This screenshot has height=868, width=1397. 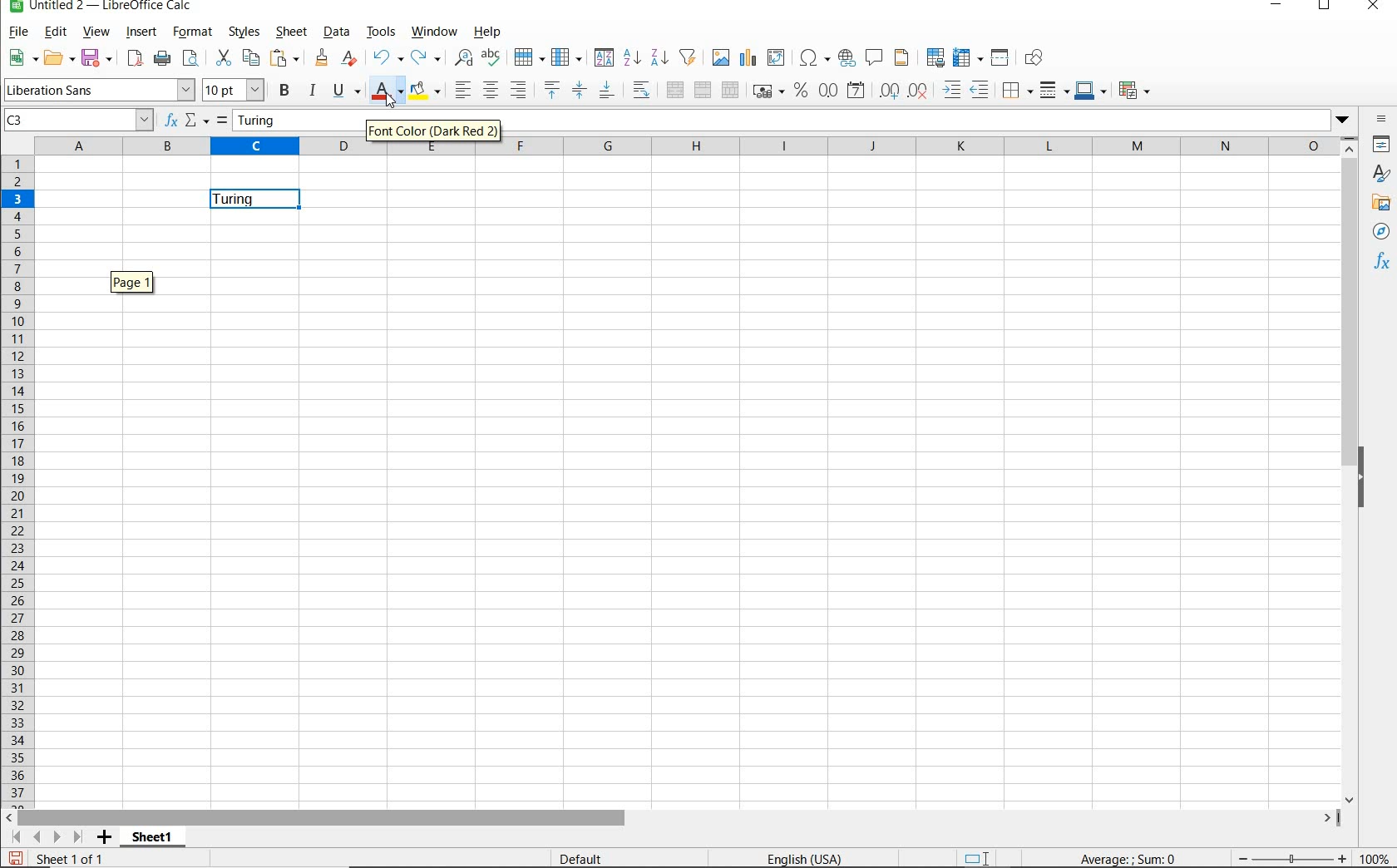 What do you see at coordinates (1017, 91) in the screenshot?
I see `BORDERS` at bounding box center [1017, 91].